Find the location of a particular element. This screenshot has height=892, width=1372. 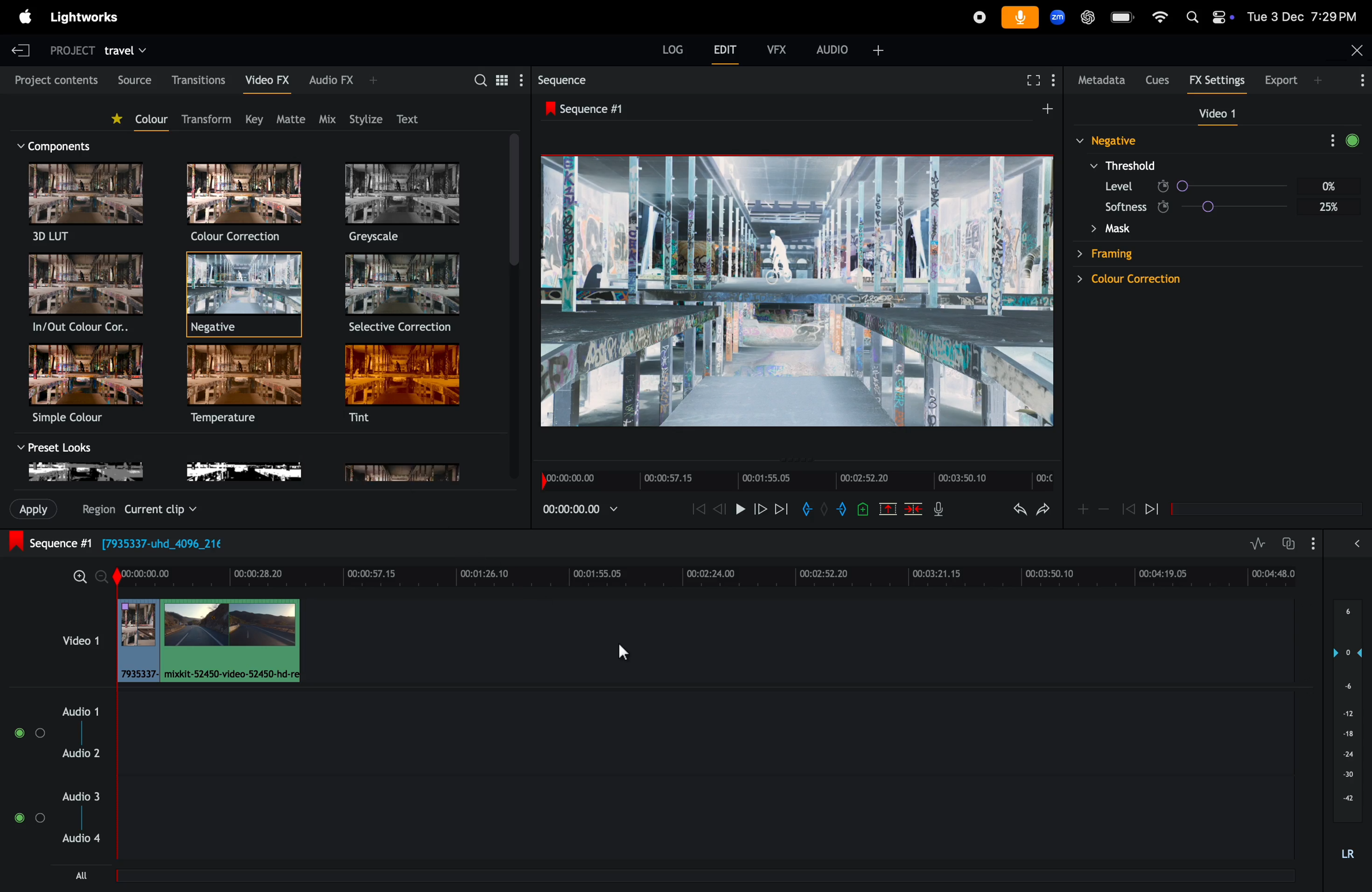

import clips is located at coordinates (31, 511).